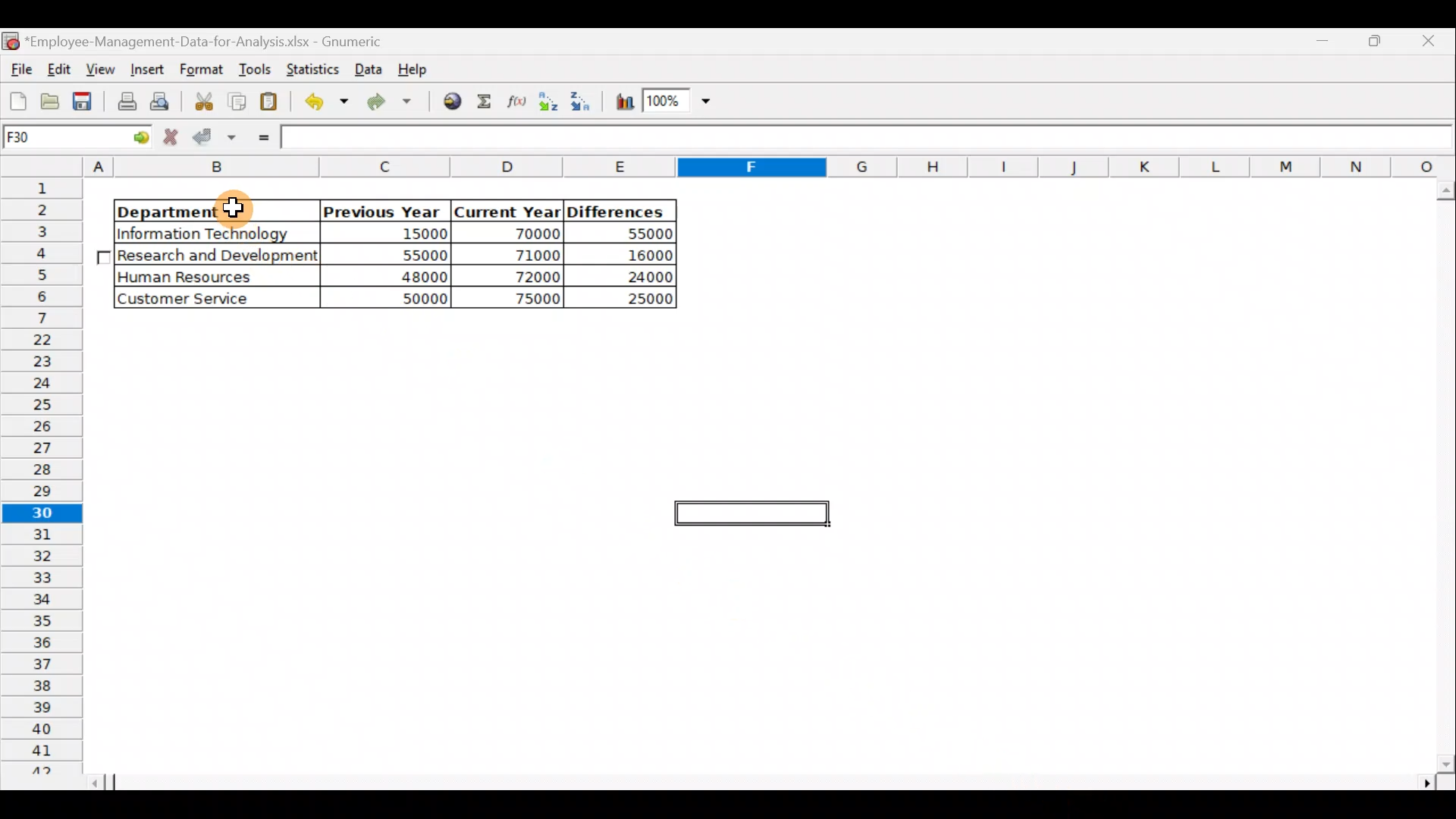  Describe the element at coordinates (251, 68) in the screenshot. I see `Tools` at that location.